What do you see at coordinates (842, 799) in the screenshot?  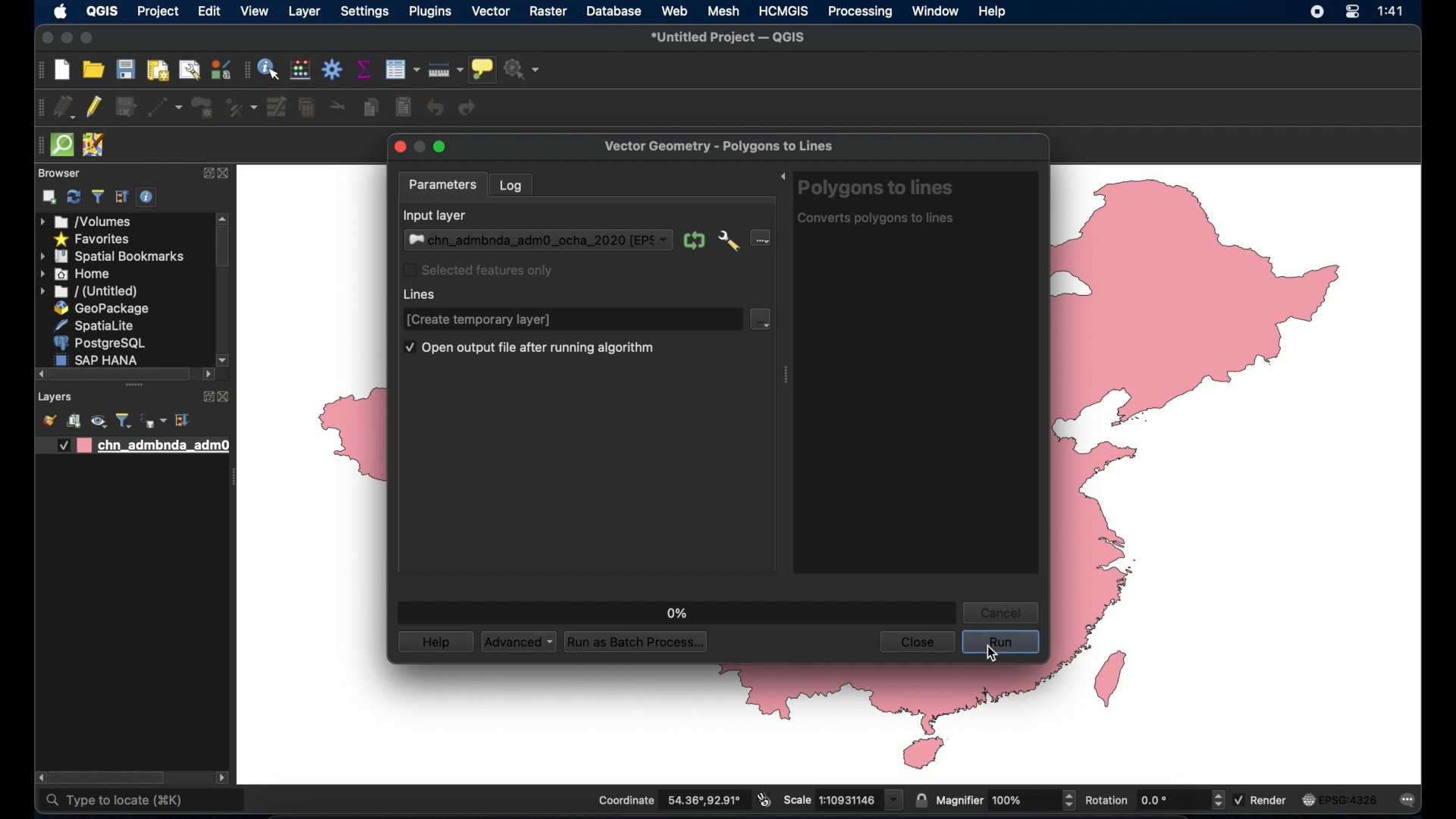 I see `scale` at bounding box center [842, 799].